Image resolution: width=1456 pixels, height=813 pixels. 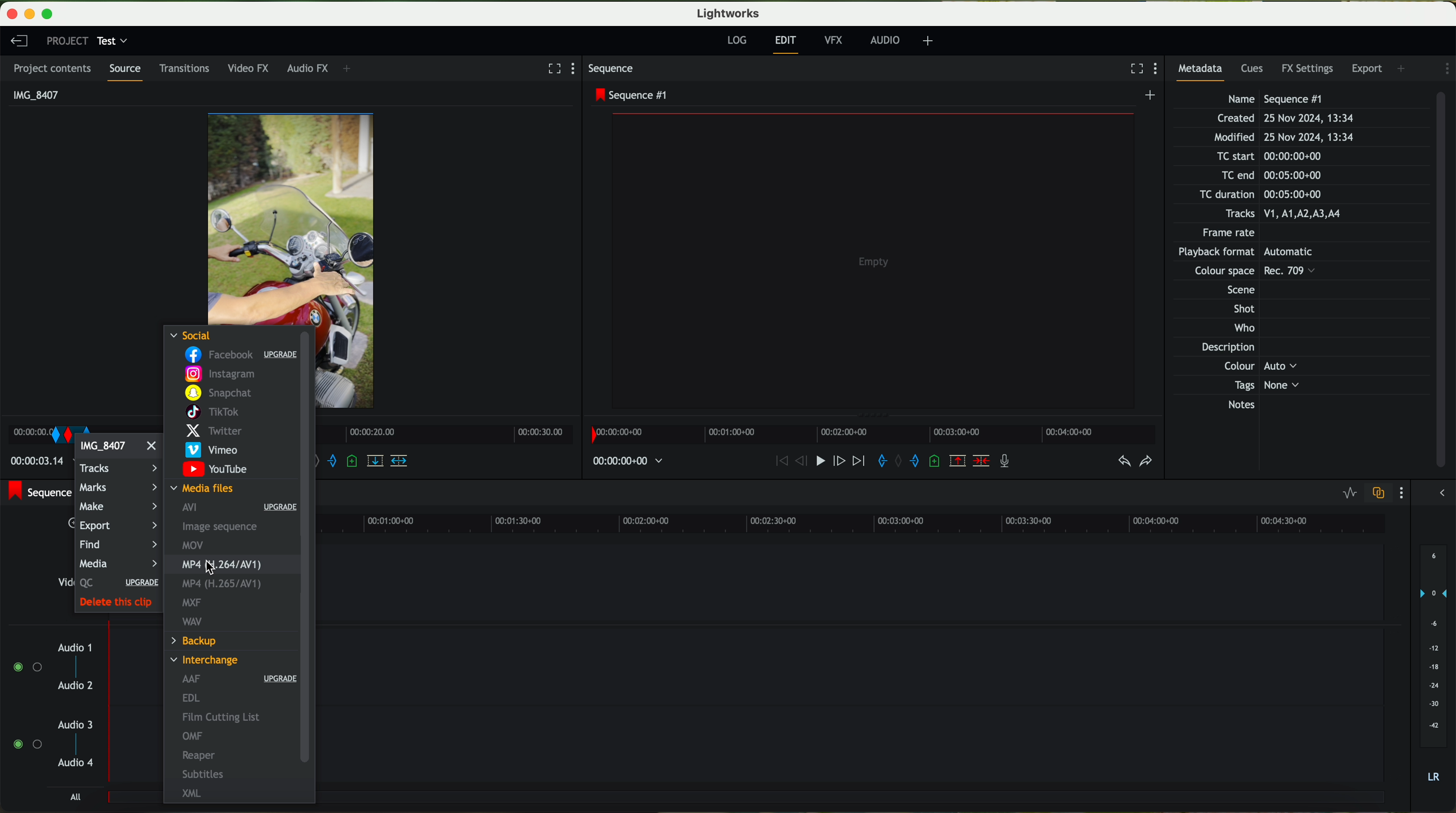 I want to click on play, so click(x=814, y=462).